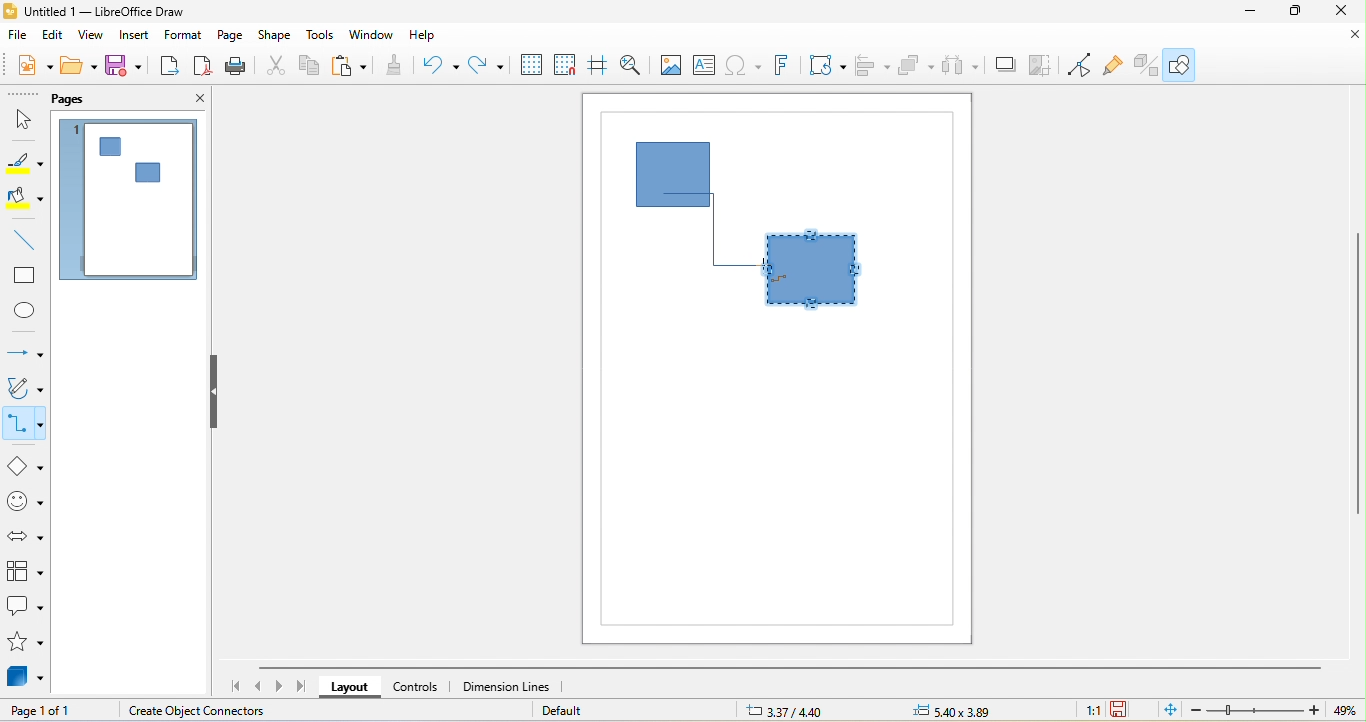 Image resolution: width=1366 pixels, height=722 pixels. Describe the element at coordinates (826, 66) in the screenshot. I see `transformation` at that location.